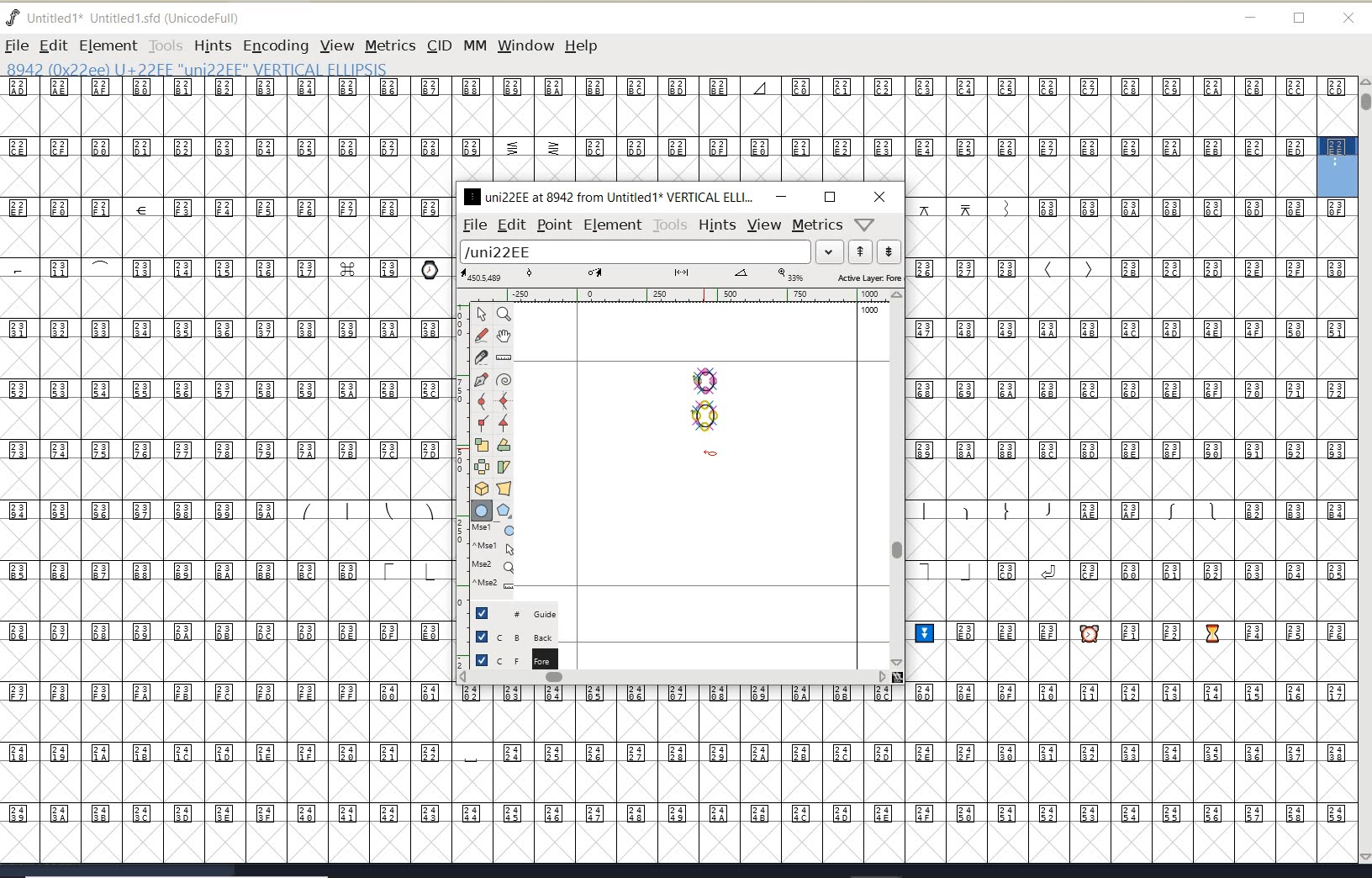  I want to click on background, so click(517, 636).